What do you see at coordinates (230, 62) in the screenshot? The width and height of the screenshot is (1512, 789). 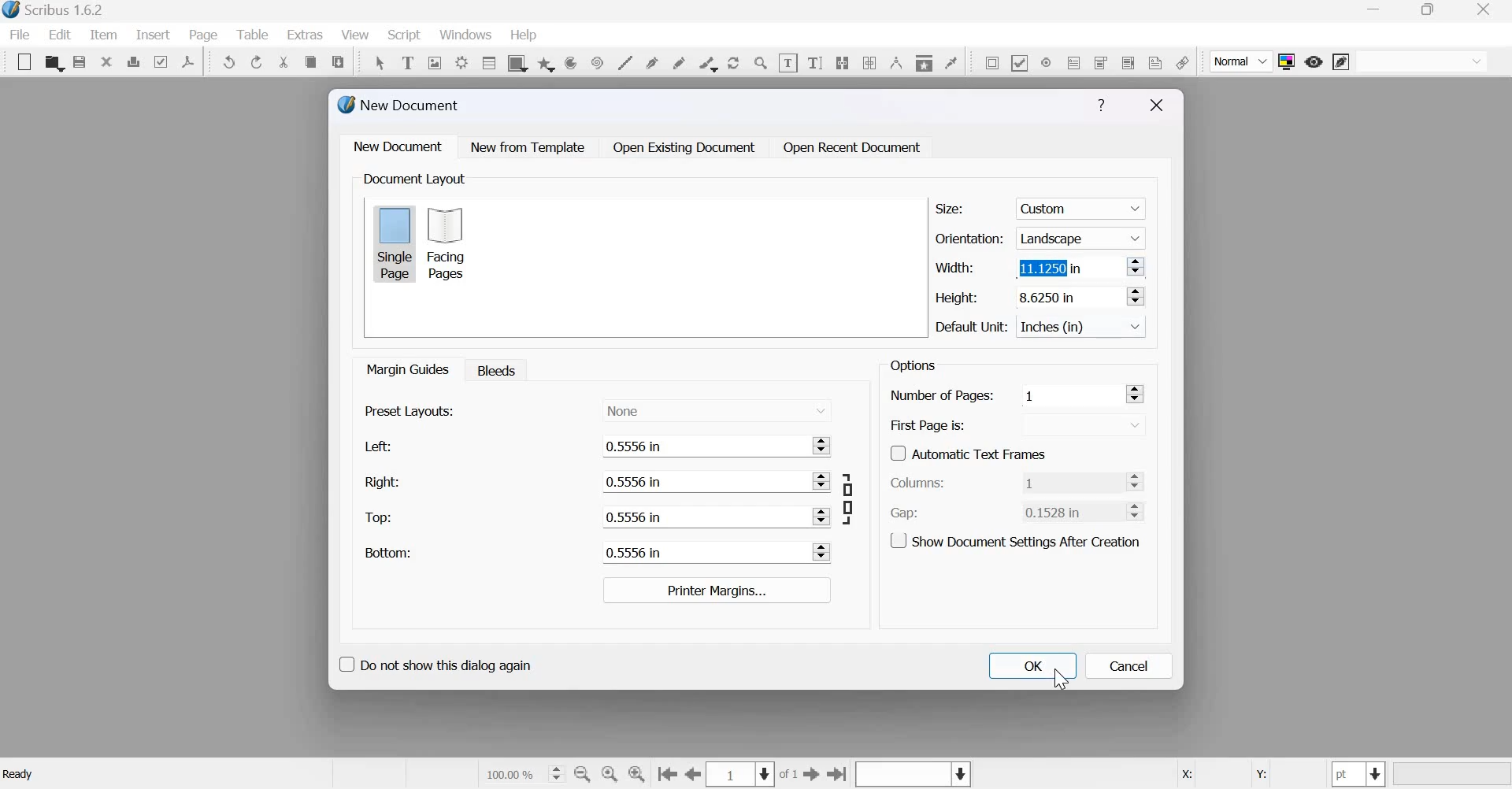 I see `Undo` at bounding box center [230, 62].